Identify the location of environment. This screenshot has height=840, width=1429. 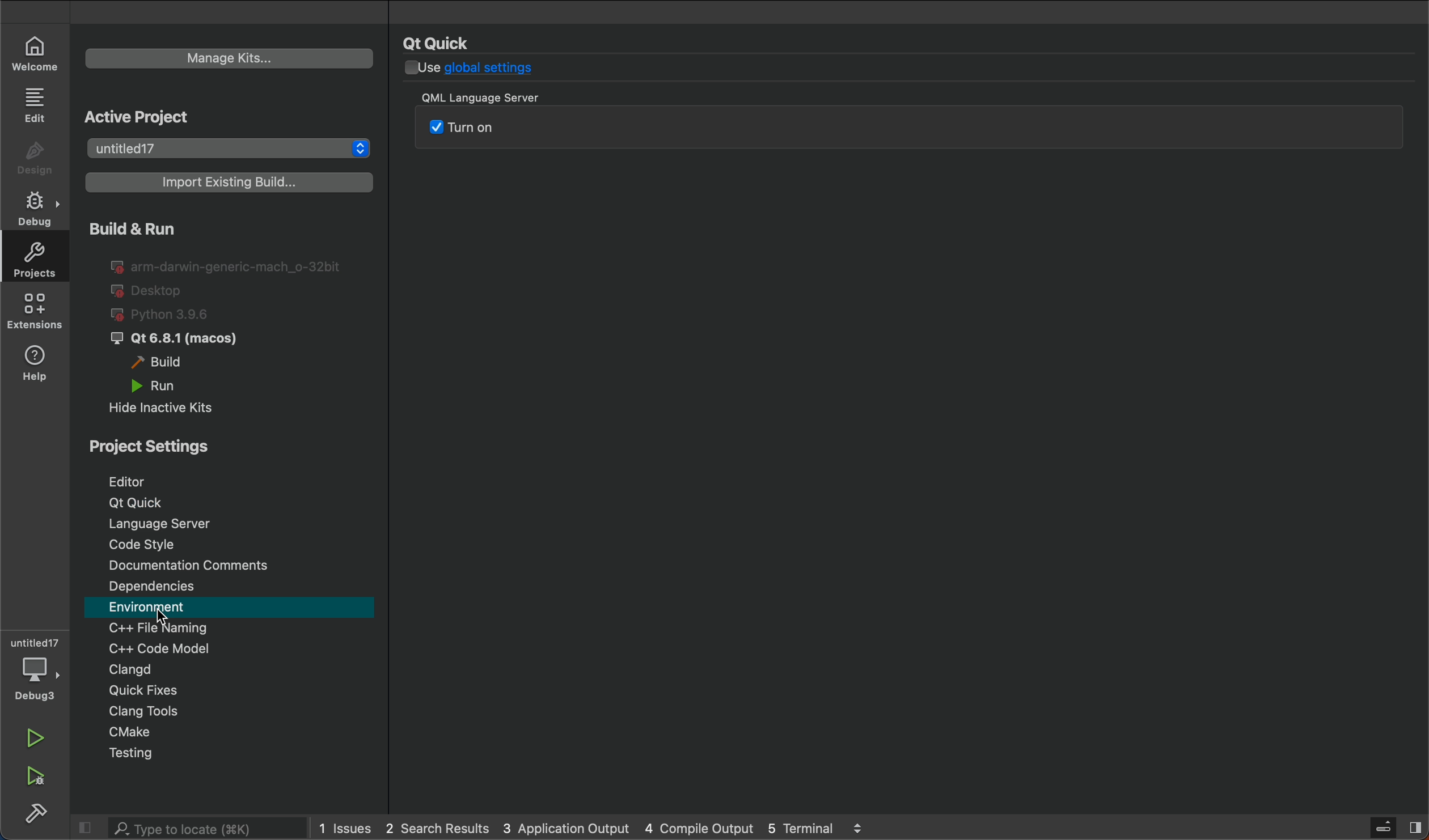
(231, 606).